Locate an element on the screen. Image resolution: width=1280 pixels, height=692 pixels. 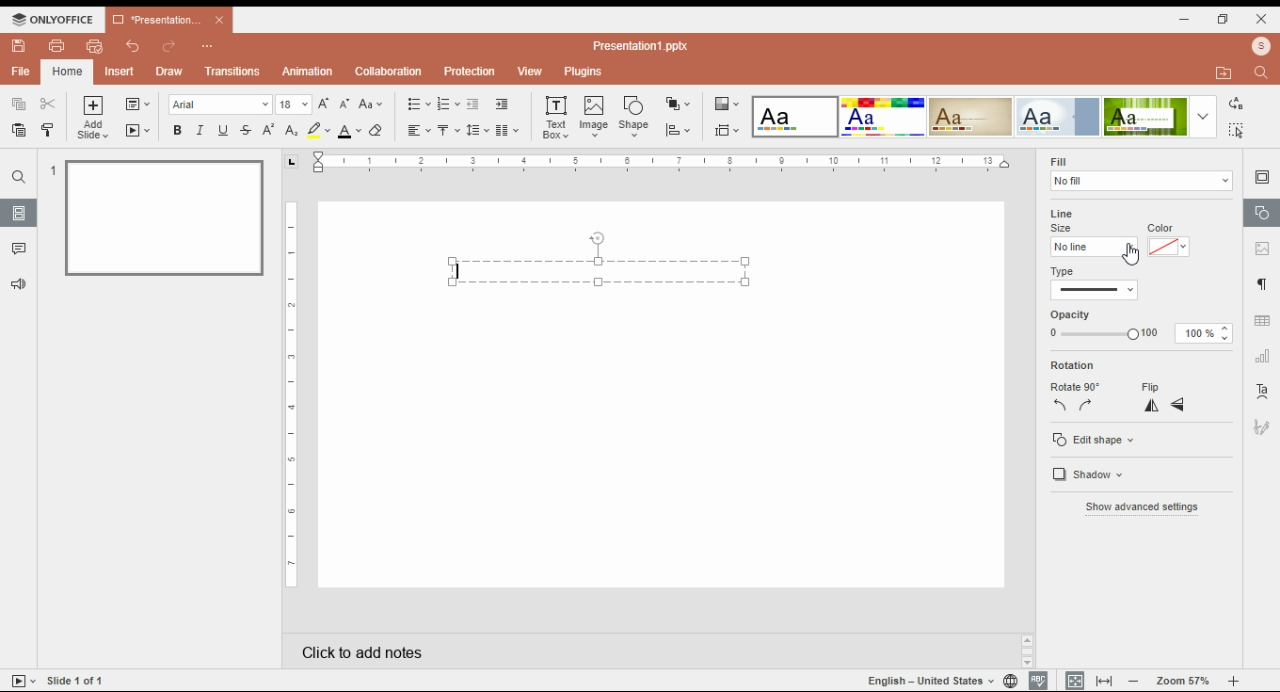
chart settings is located at coordinates (1263, 359).